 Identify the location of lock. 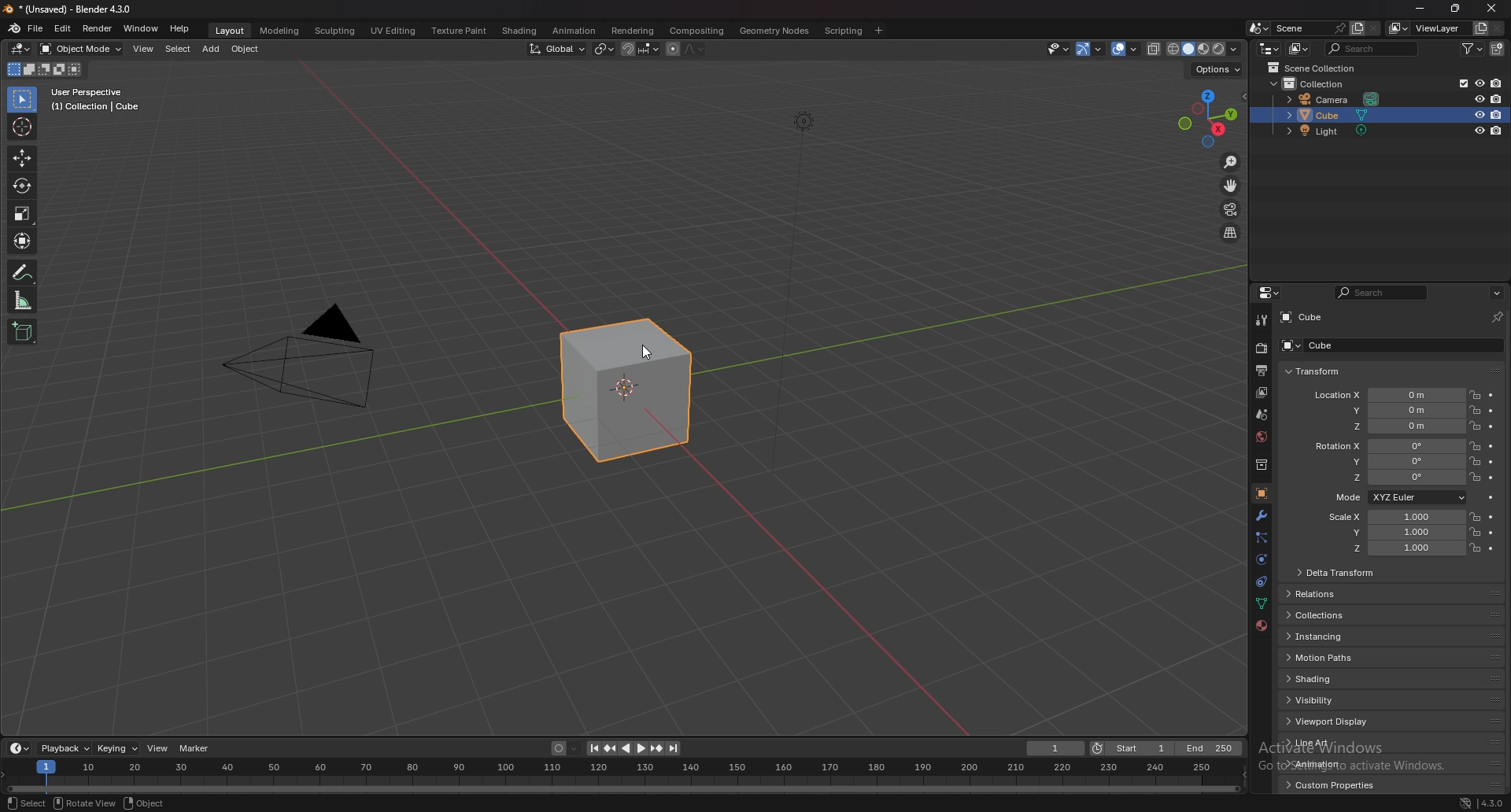
(1475, 446).